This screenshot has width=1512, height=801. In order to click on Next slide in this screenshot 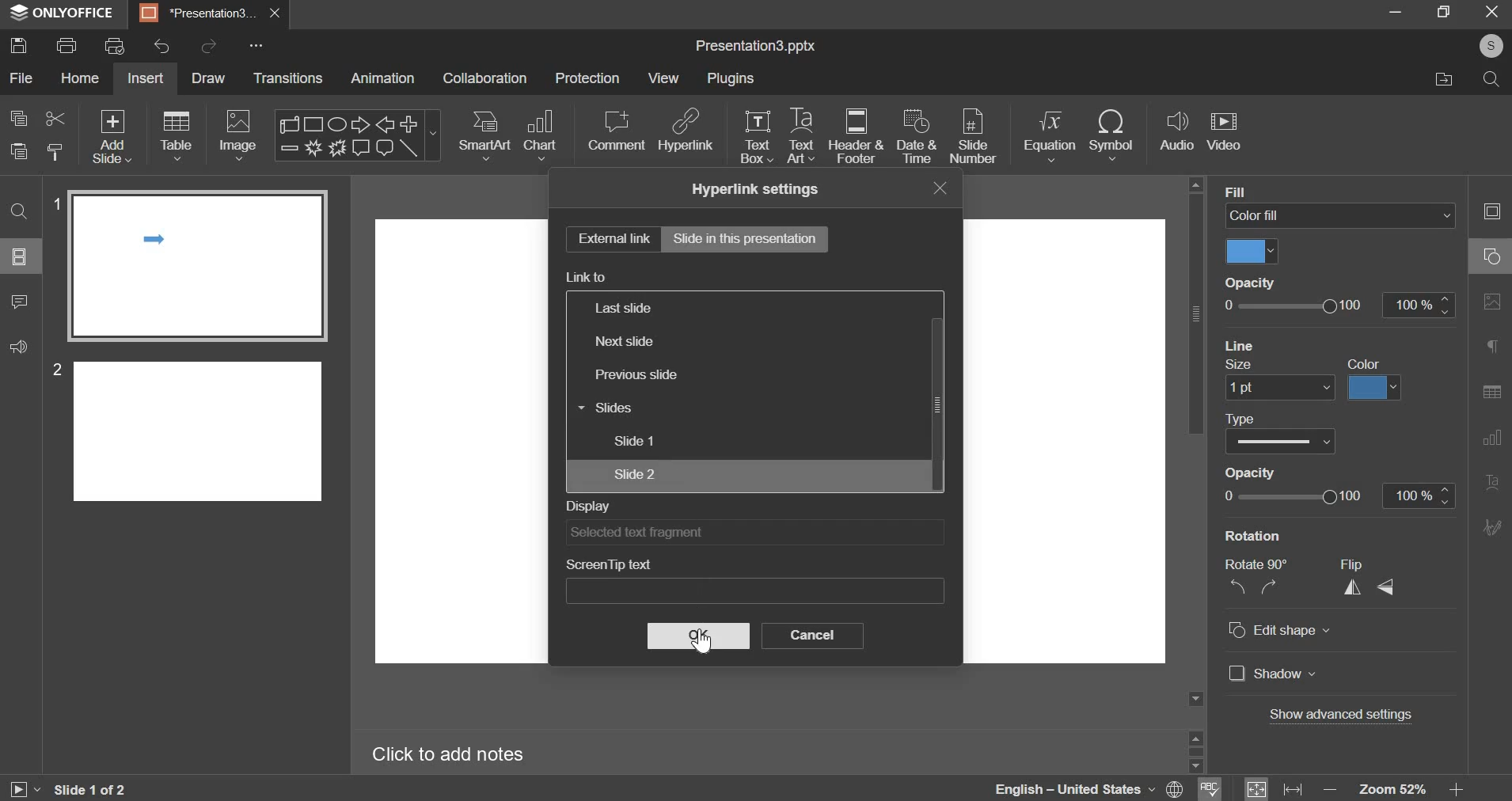, I will do `click(675, 340)`.